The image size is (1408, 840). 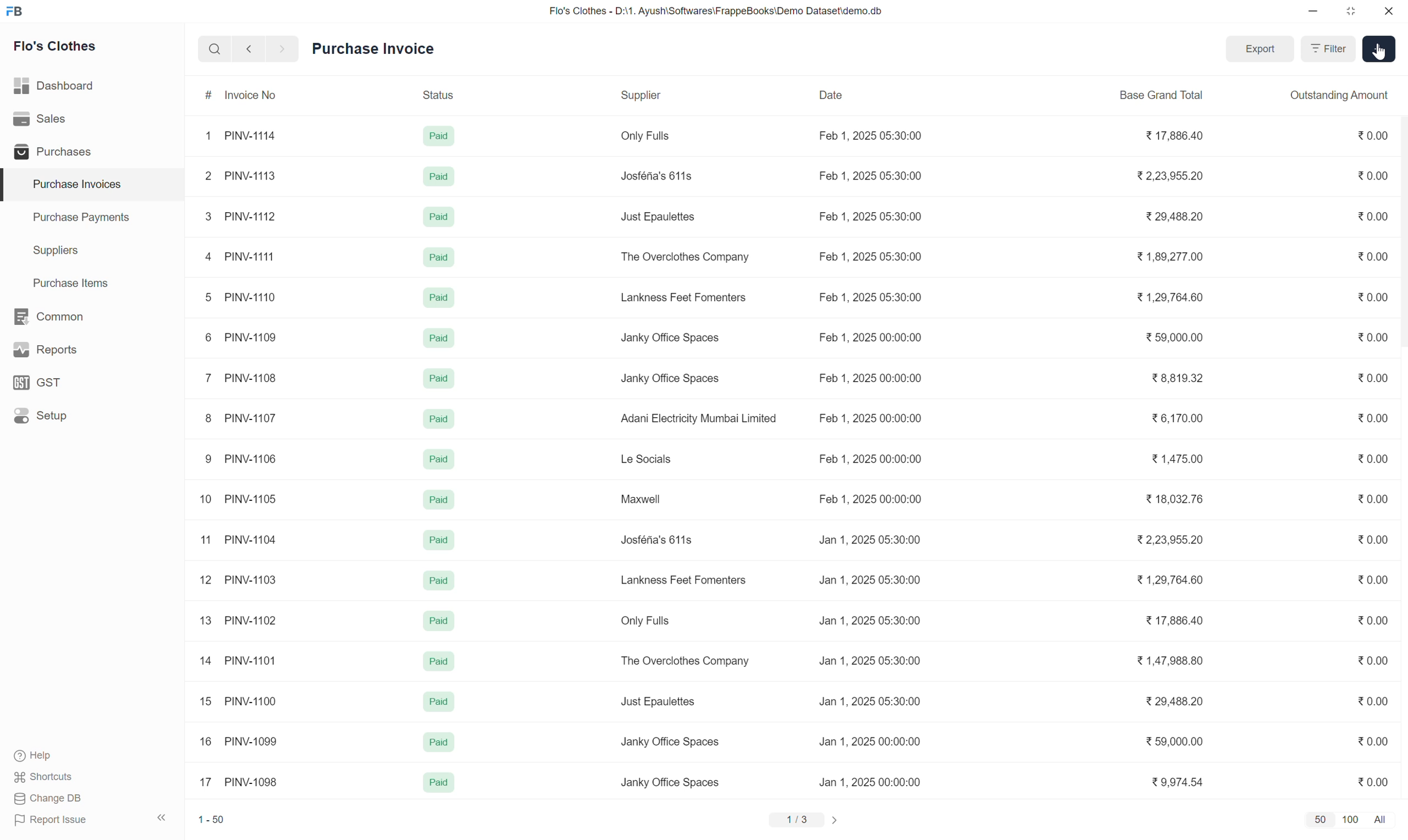 What do you see at coordinates (871, 136) in the screenshot?
I see `Feb 1, 2025 05:30:00` at bounding box center [871, 136].